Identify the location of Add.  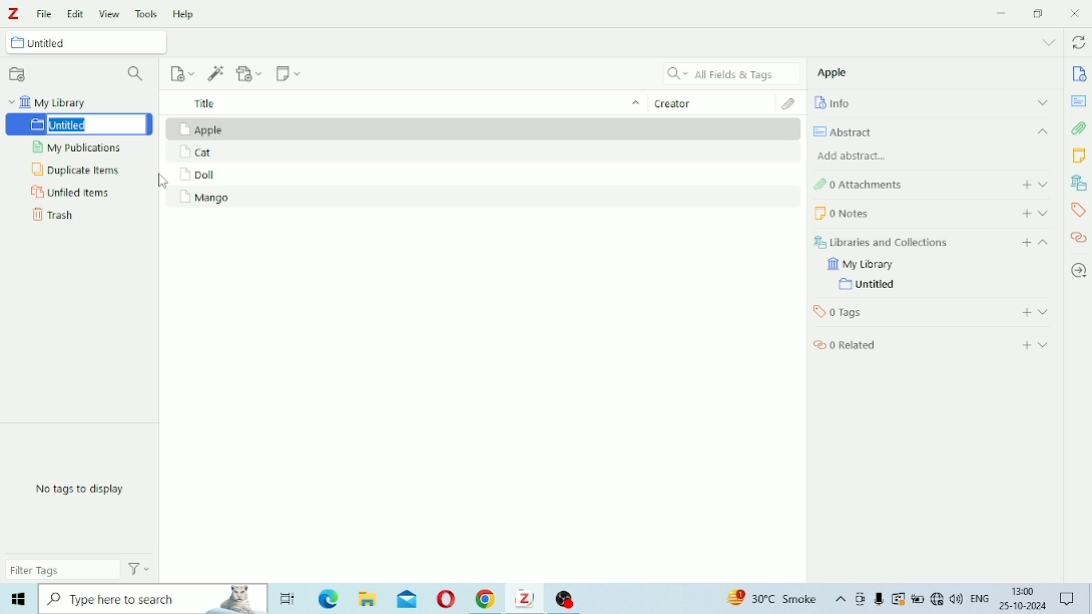
(1027, 345).